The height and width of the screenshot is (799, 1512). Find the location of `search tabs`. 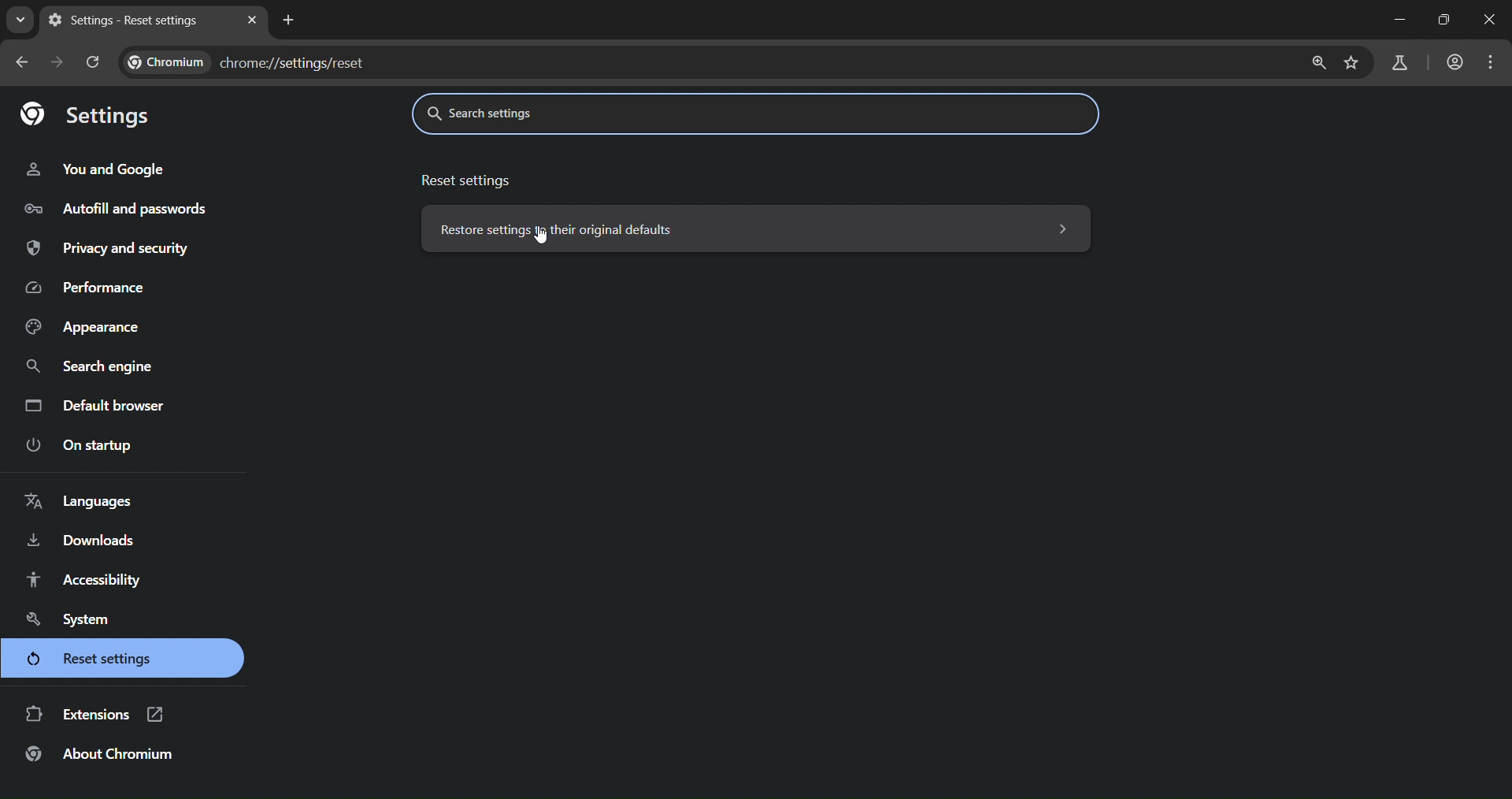

search tabs is located at coordinates (22, 21).